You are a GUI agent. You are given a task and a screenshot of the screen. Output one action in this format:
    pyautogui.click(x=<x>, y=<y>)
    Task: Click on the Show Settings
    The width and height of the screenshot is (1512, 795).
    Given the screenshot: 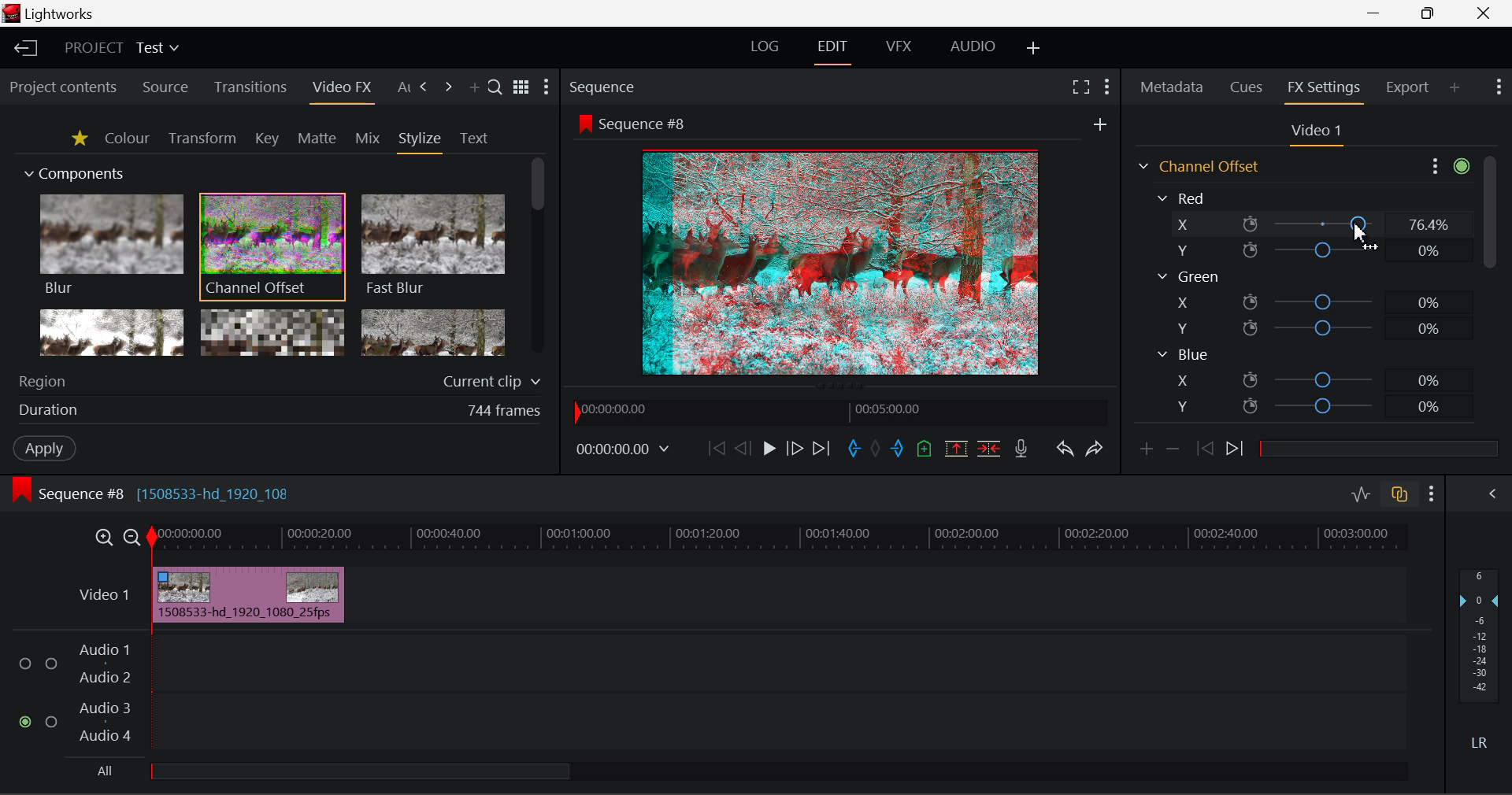 What is the action you would take?
    pyautogui.click(x=1498, y=87)
    